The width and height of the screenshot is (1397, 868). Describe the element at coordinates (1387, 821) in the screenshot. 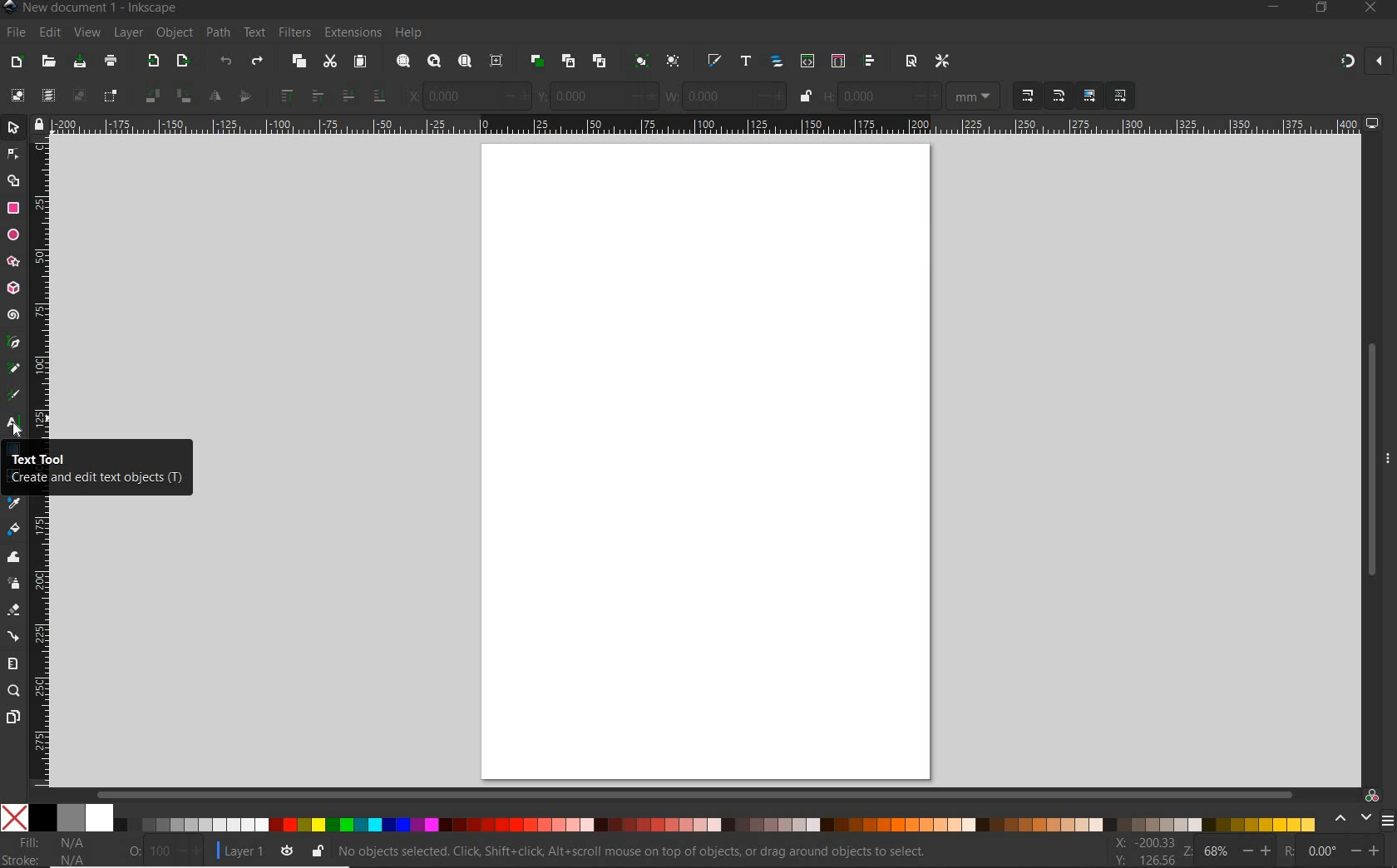

I see `menu` at that location.